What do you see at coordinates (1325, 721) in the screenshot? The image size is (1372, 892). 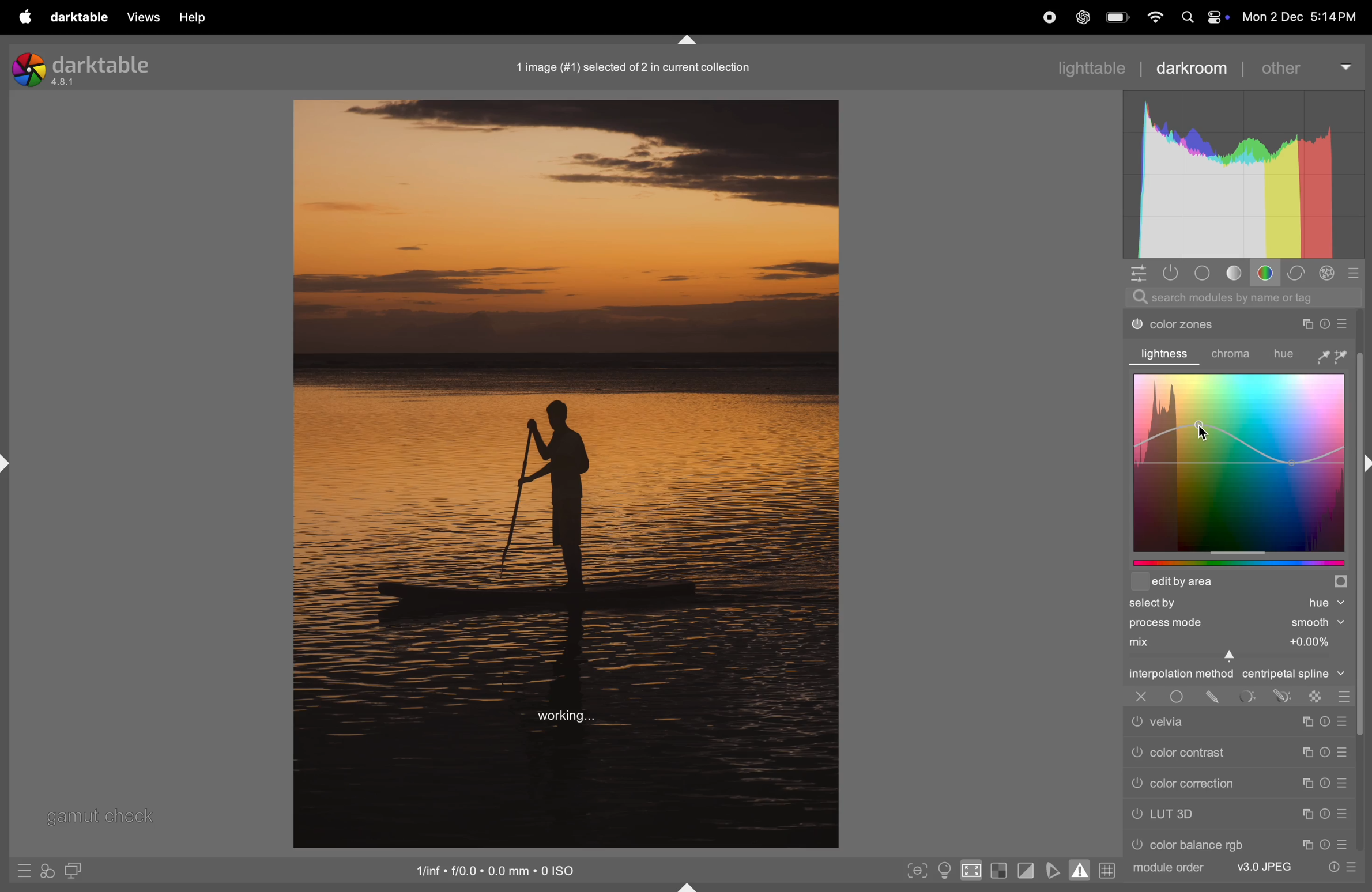 I see `Timer` at bounding box center [1325, 721].